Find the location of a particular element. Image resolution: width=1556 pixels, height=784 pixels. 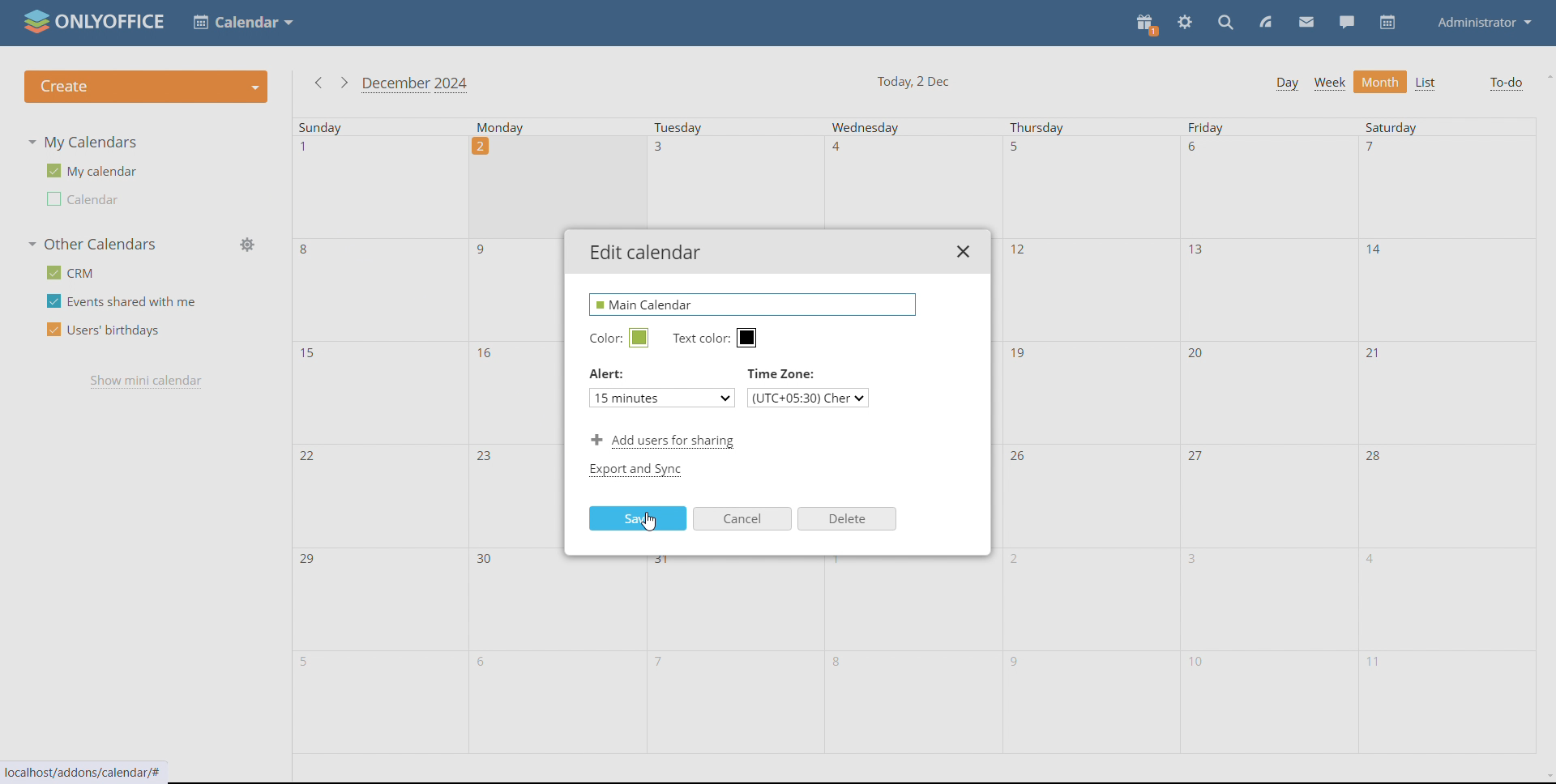

edit calendar is located at coordinates (646, 253).